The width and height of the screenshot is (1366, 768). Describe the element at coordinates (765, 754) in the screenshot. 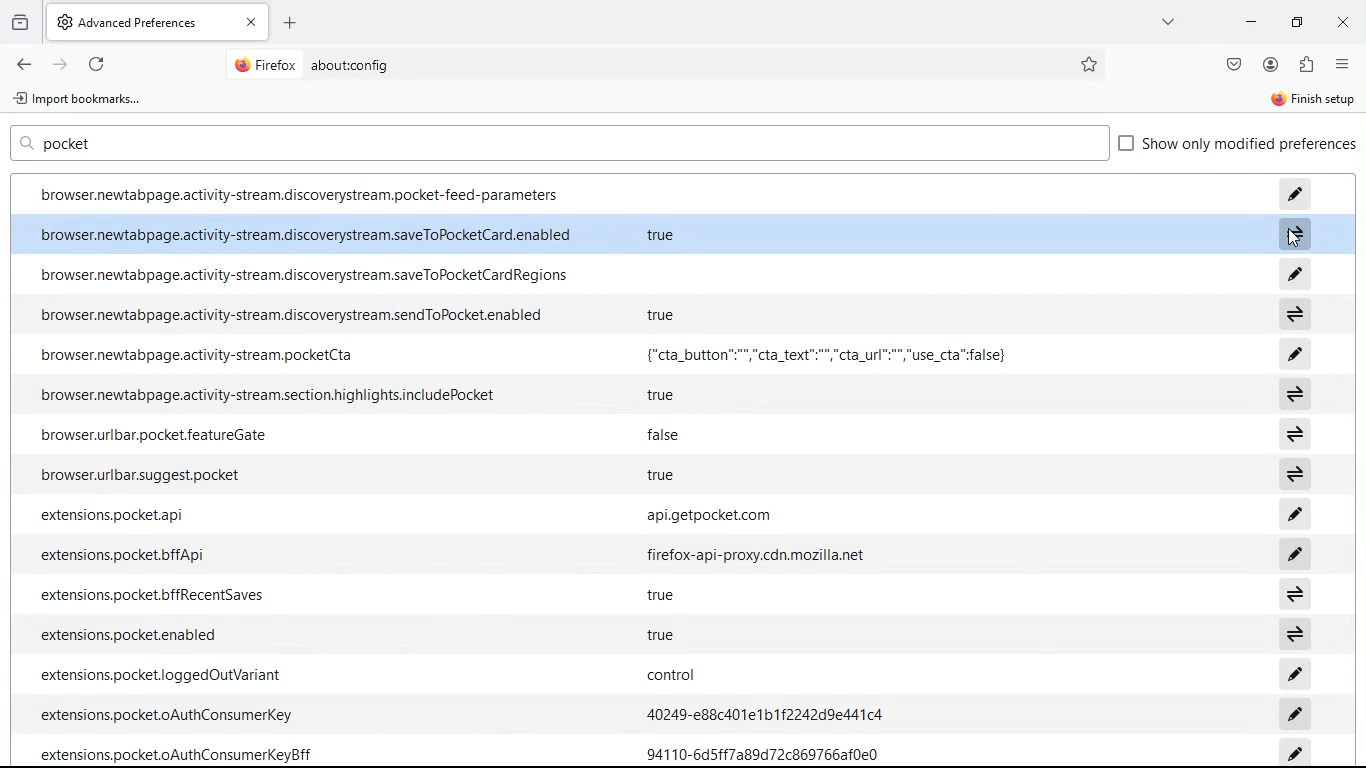

I see `94110-6d5ff7a89d72c869766af0e0` at that location.